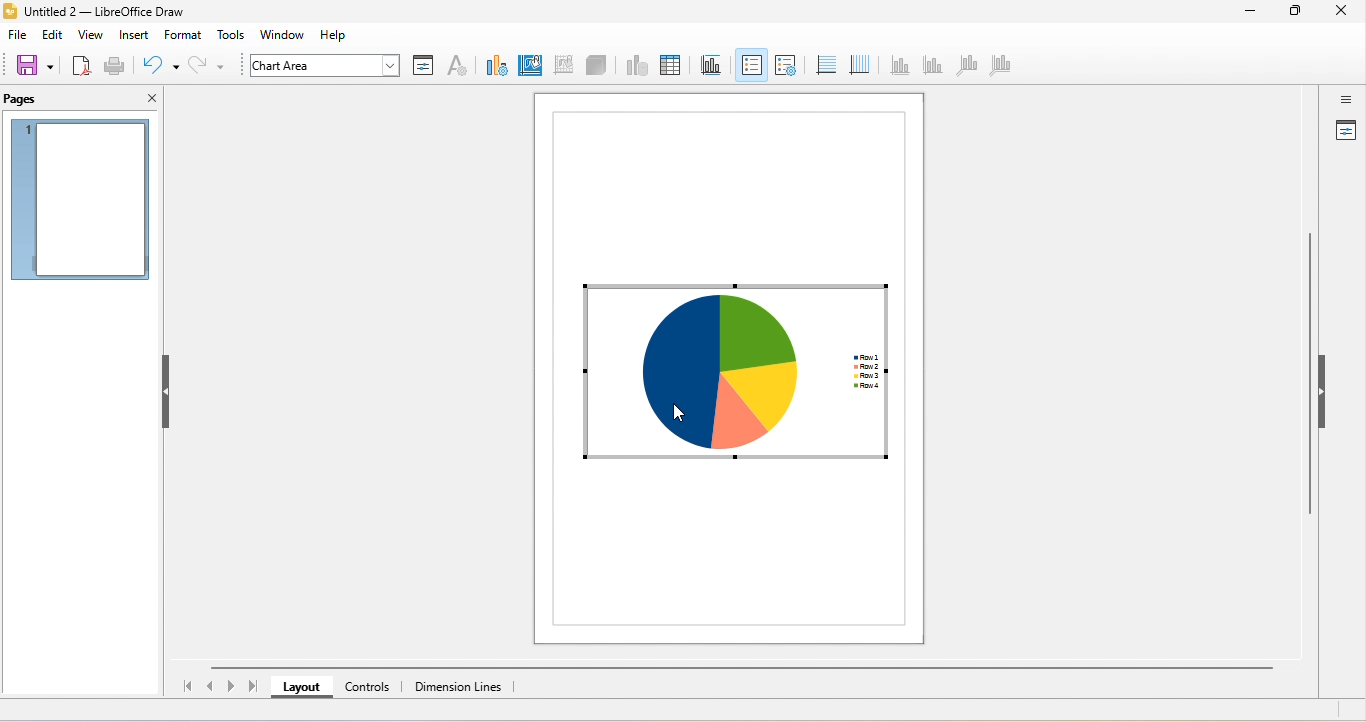 This screenshot has width=1366, height=722. I want to click on horizontal grid, so click(824, 65).